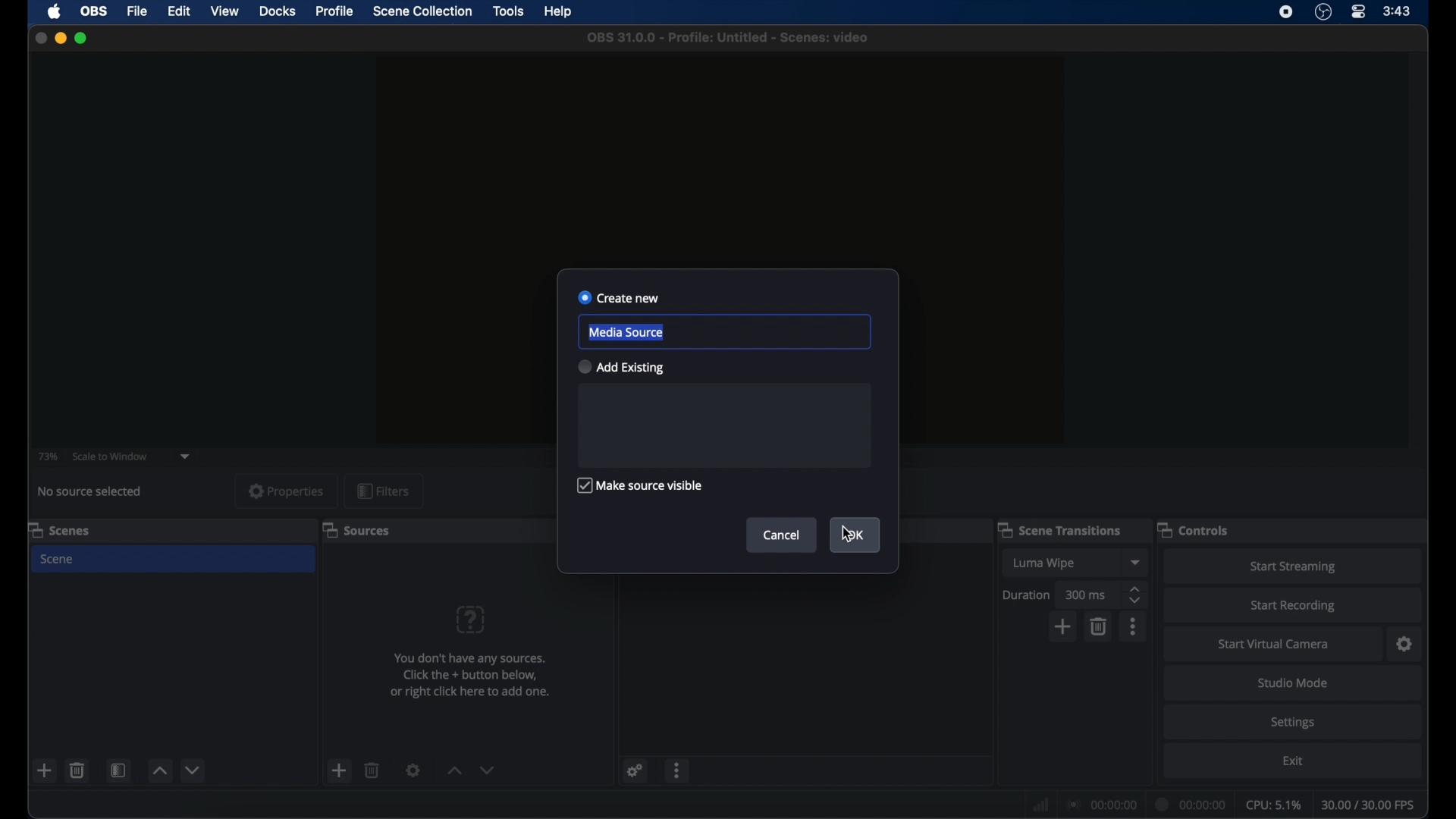  Describe the element at coordinates (422, 11) in the screenshot. I see `scene collection` at that location.